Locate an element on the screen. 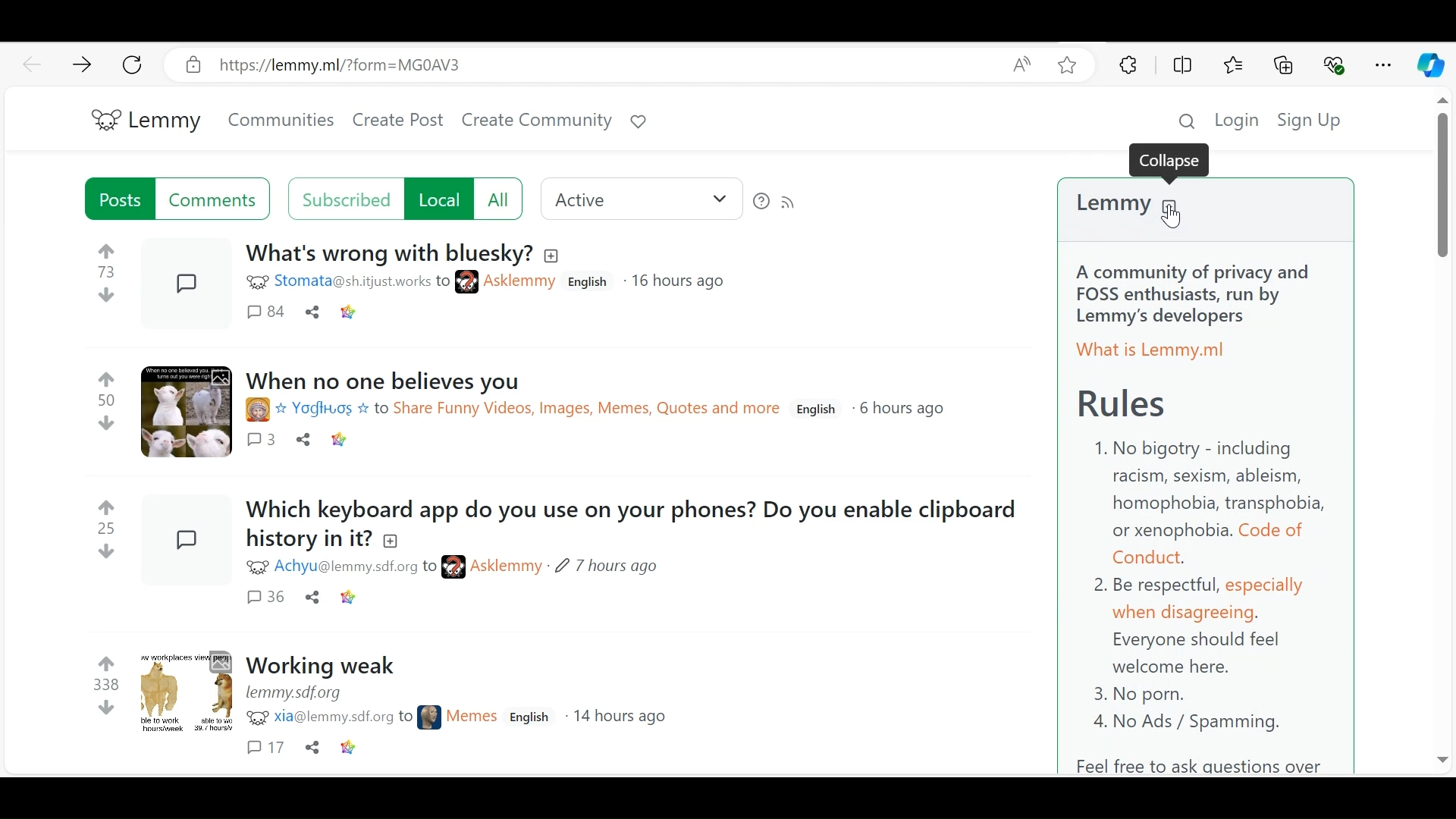 This screenshot has height=819, width=1456. Copilot is located at coordinates (1430, 65).